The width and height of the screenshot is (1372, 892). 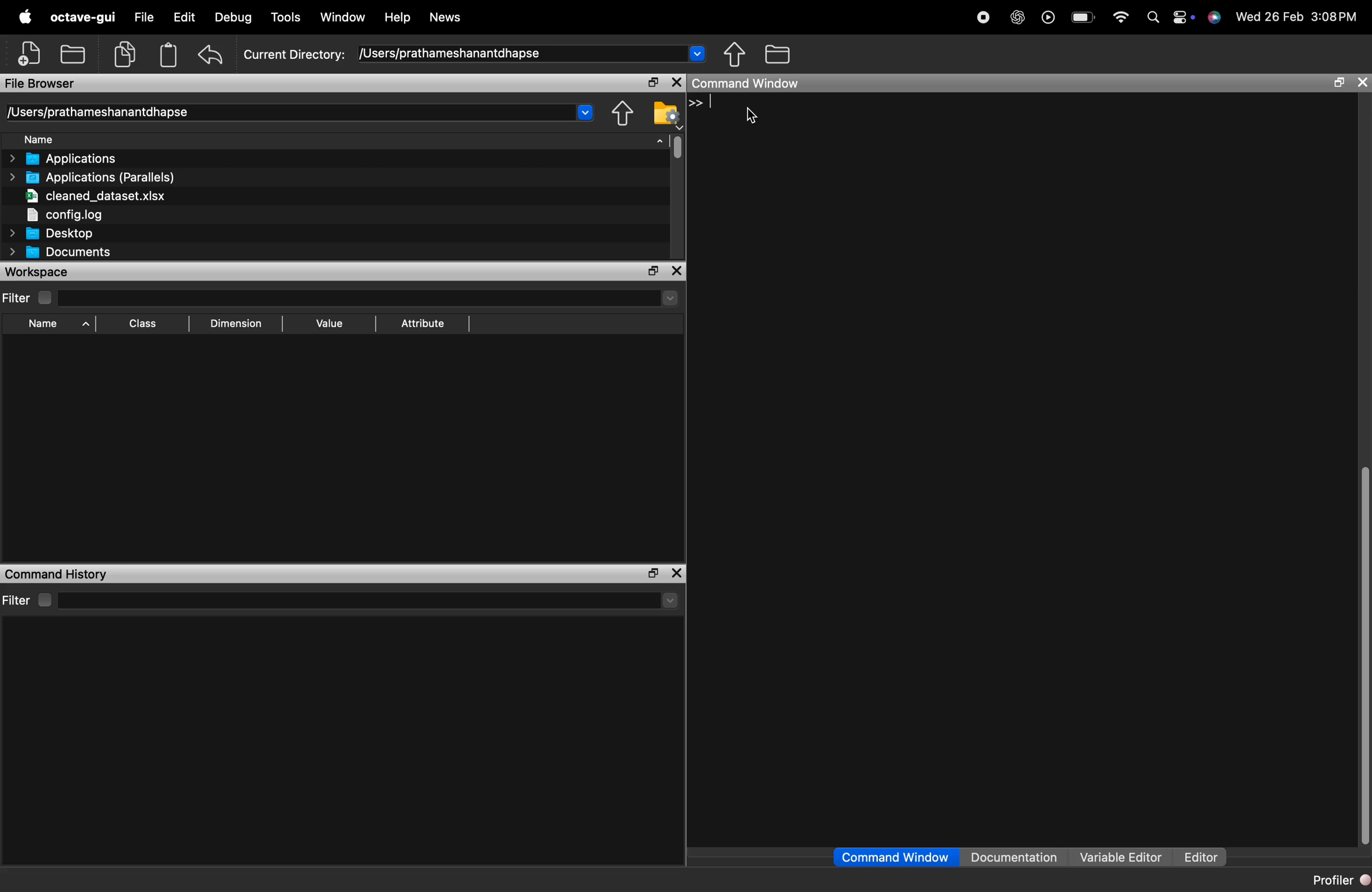 What do you see at coordinates (371, 298) in the screenshot?
I see `search here` at bounding box center [371, 298].